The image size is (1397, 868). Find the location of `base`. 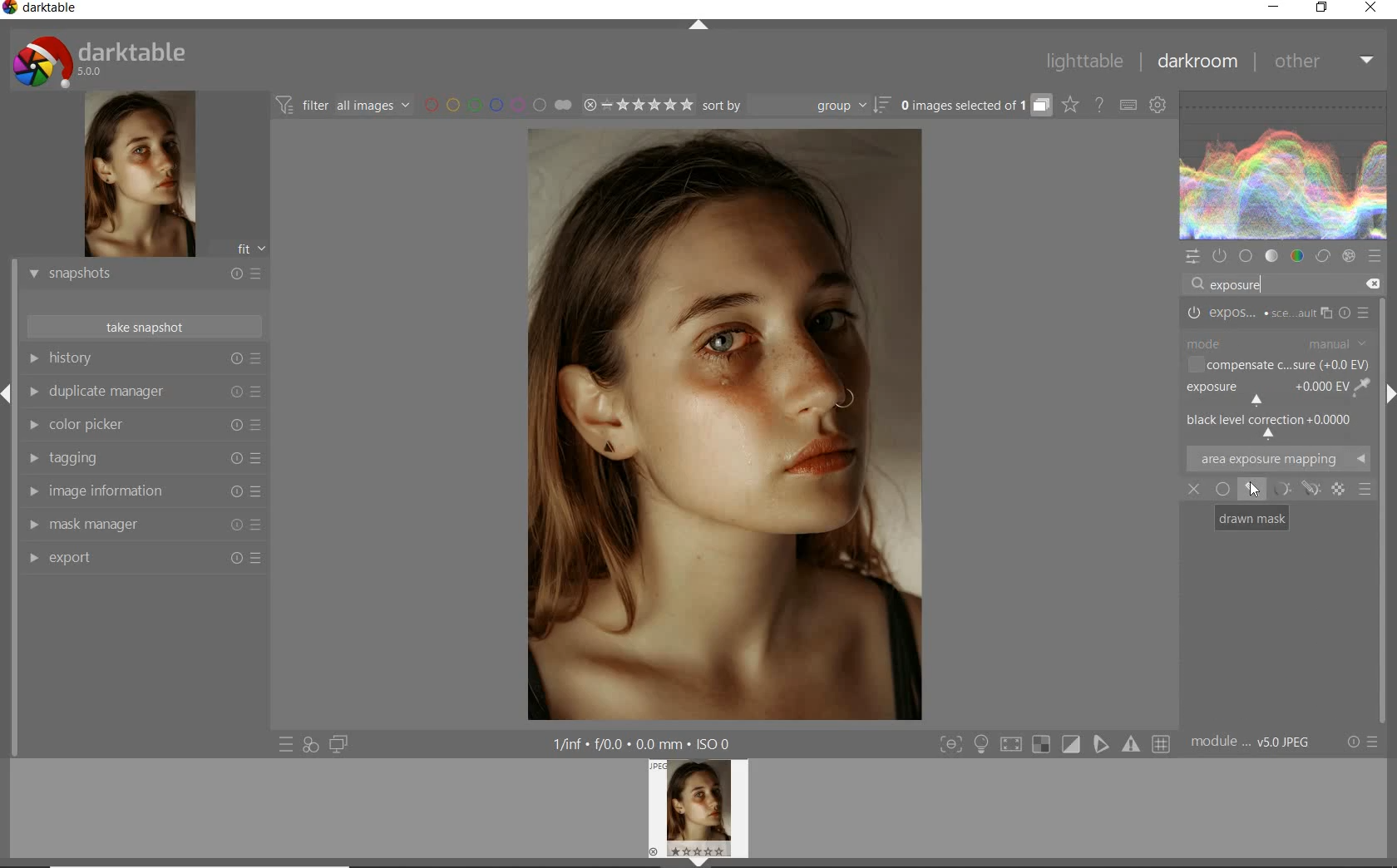

base is located at coordinates (1246, 256).